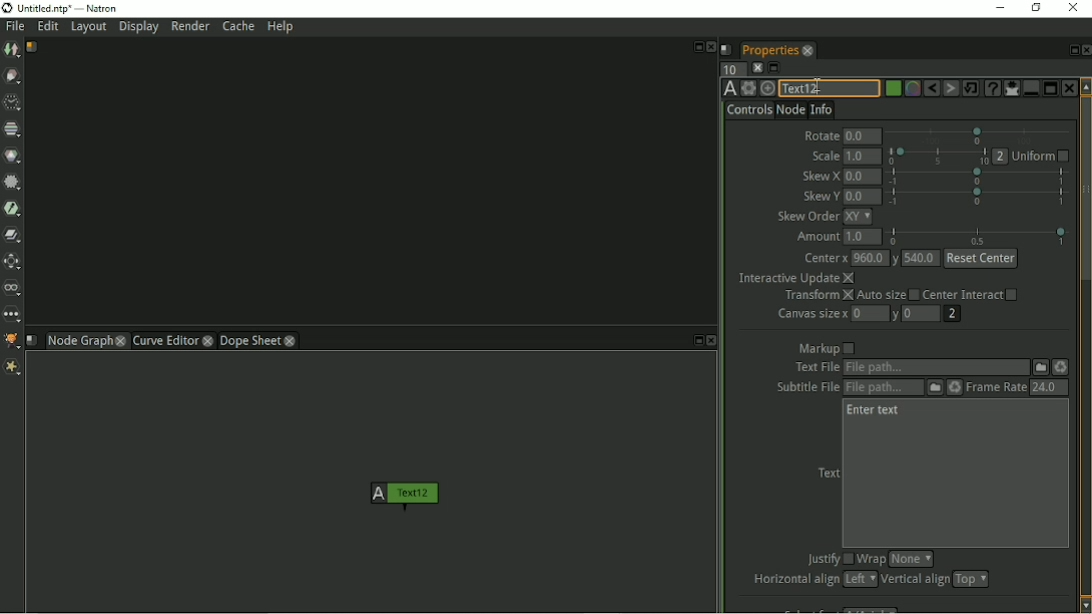 This screenshot has height=614, width=1092. I want to click on Vertical align, so click(914, 580).